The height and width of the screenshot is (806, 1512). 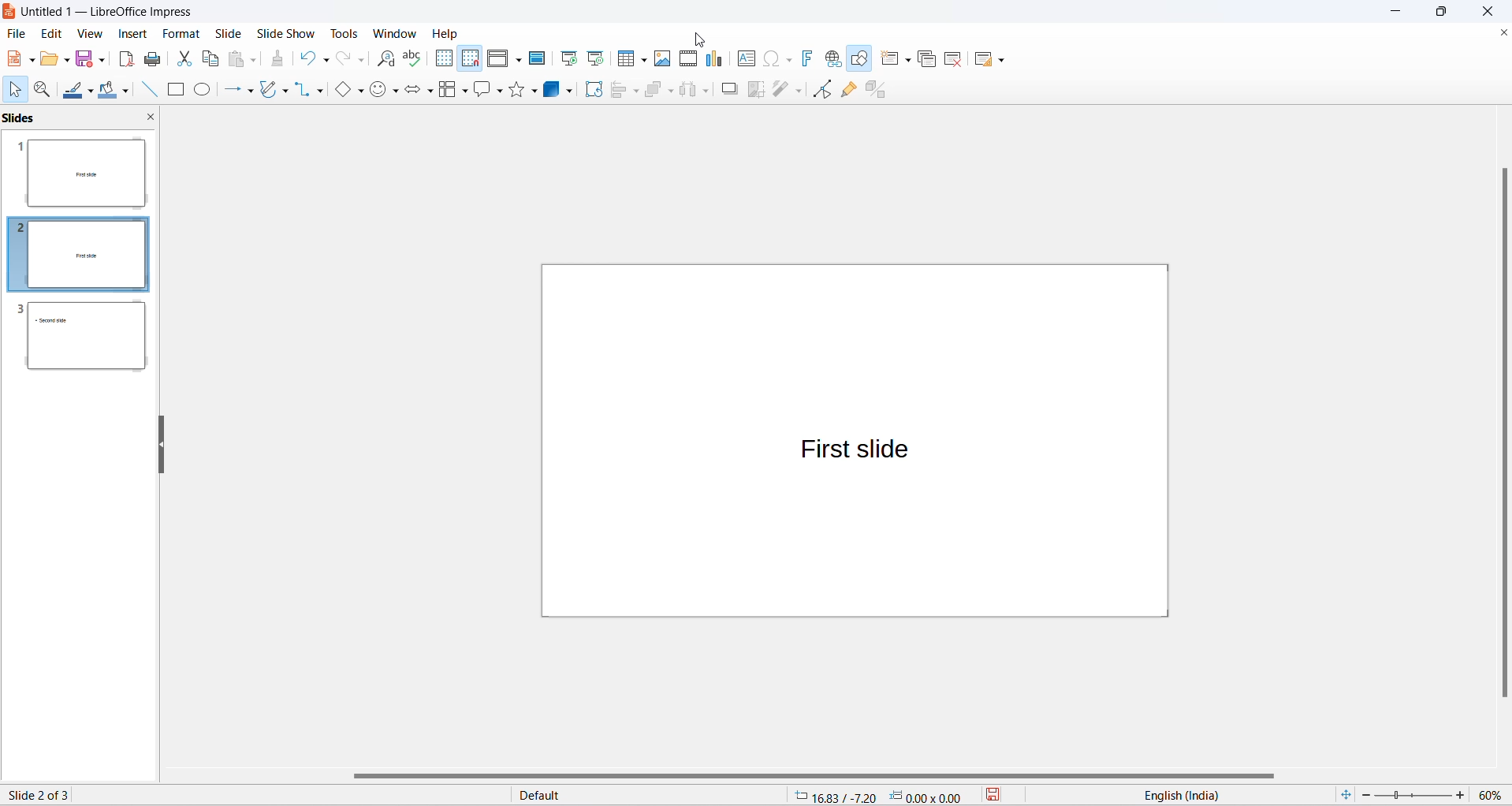 I want to click on callout shapes, so click(x=481, y=89).